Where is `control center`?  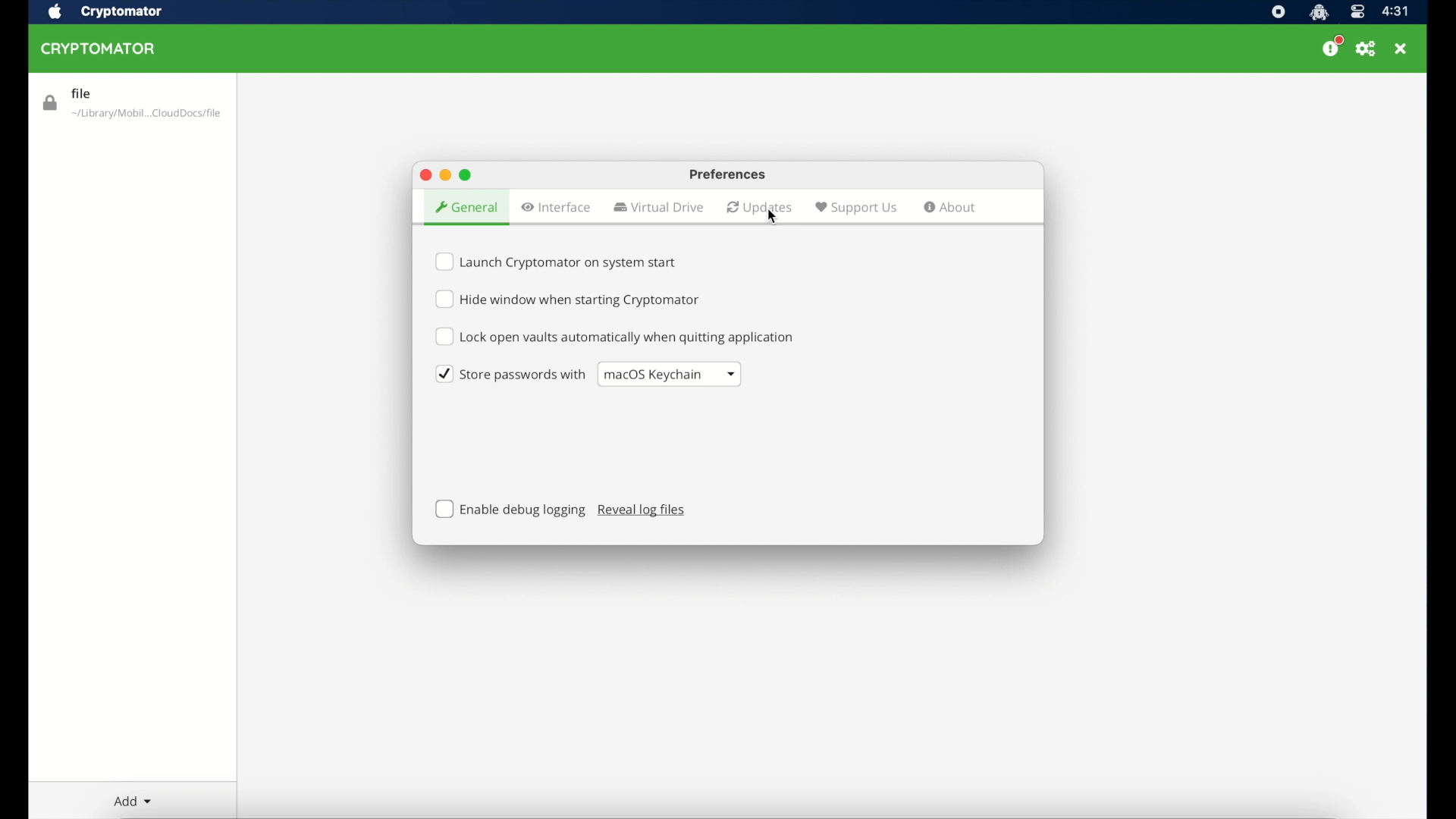 control center is located at coordinates (1357, 11).